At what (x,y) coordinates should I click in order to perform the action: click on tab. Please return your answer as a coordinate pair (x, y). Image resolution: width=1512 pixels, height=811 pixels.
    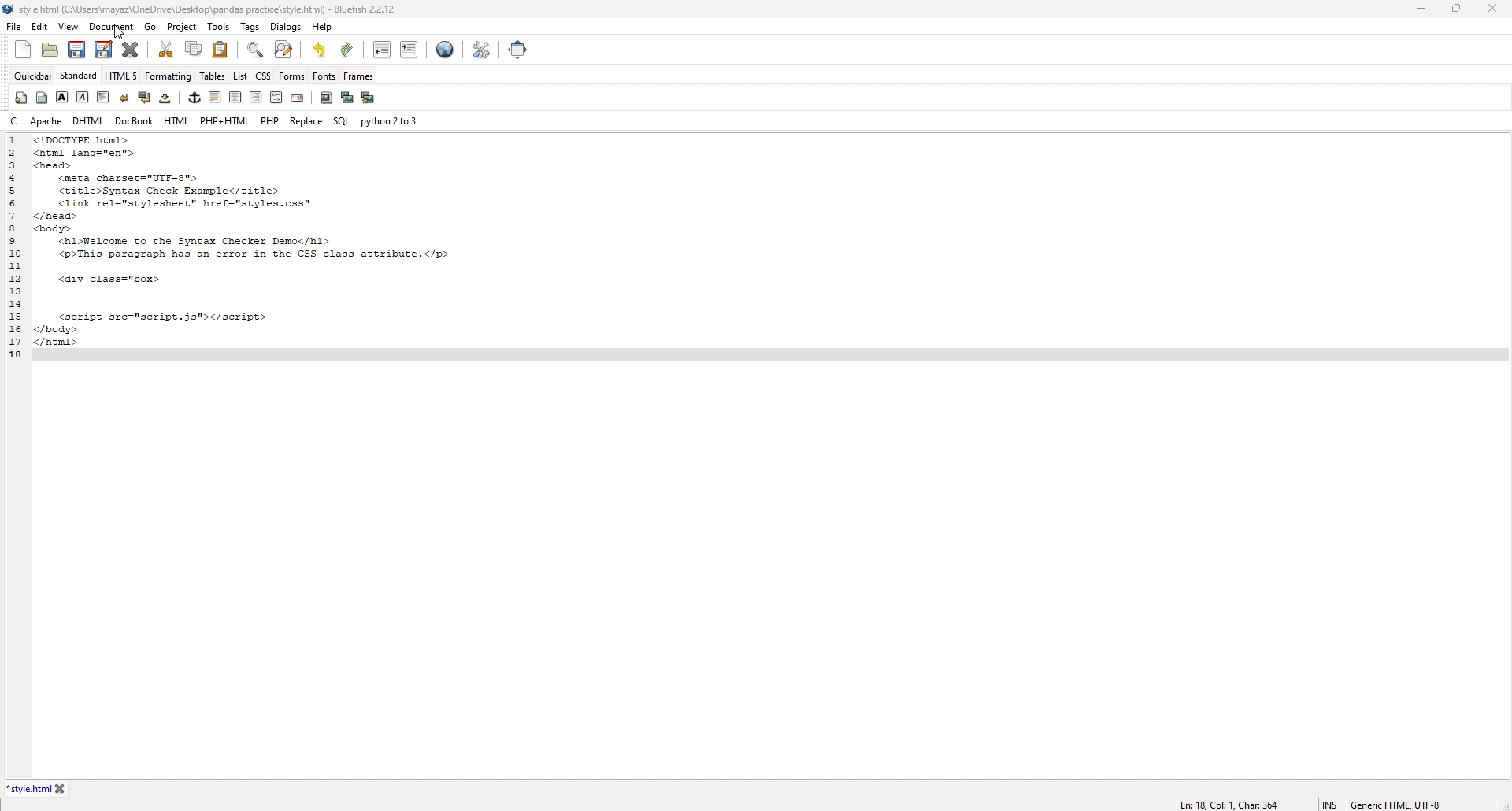
    Looking at the image, I should click on (28, 788).